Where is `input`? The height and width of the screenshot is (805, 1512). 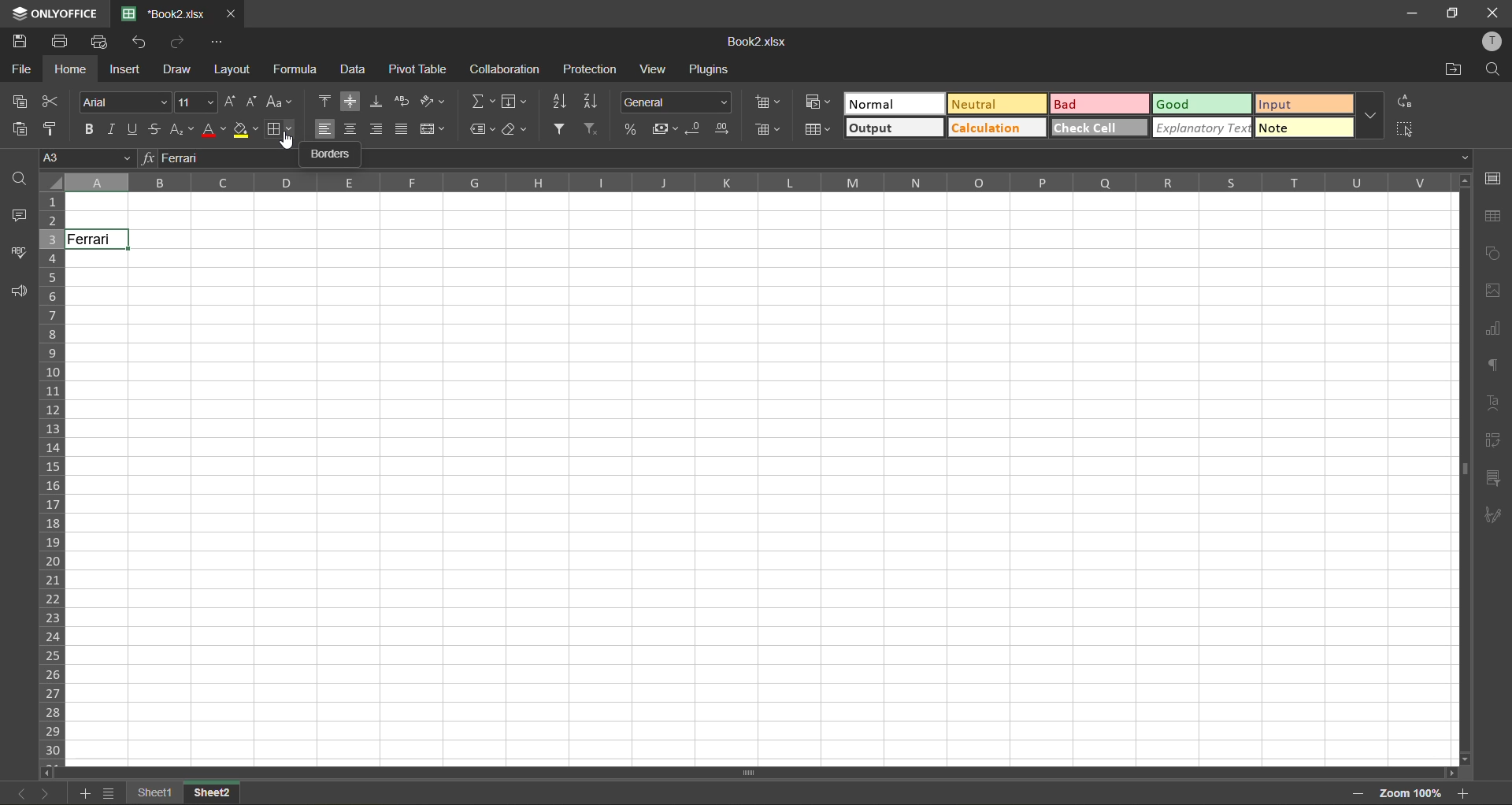
input is located at coordinates (1305, 104).